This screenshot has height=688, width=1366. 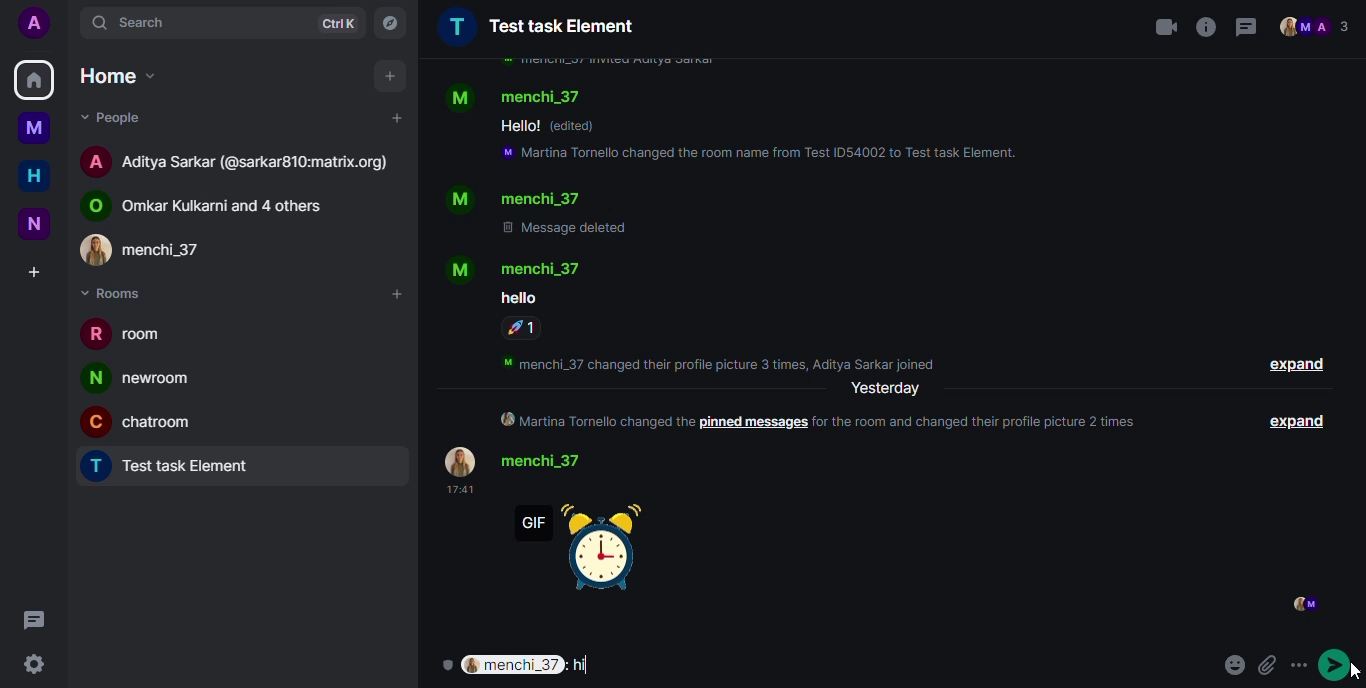 I want to click on attach, so click(x=1262, y=663).